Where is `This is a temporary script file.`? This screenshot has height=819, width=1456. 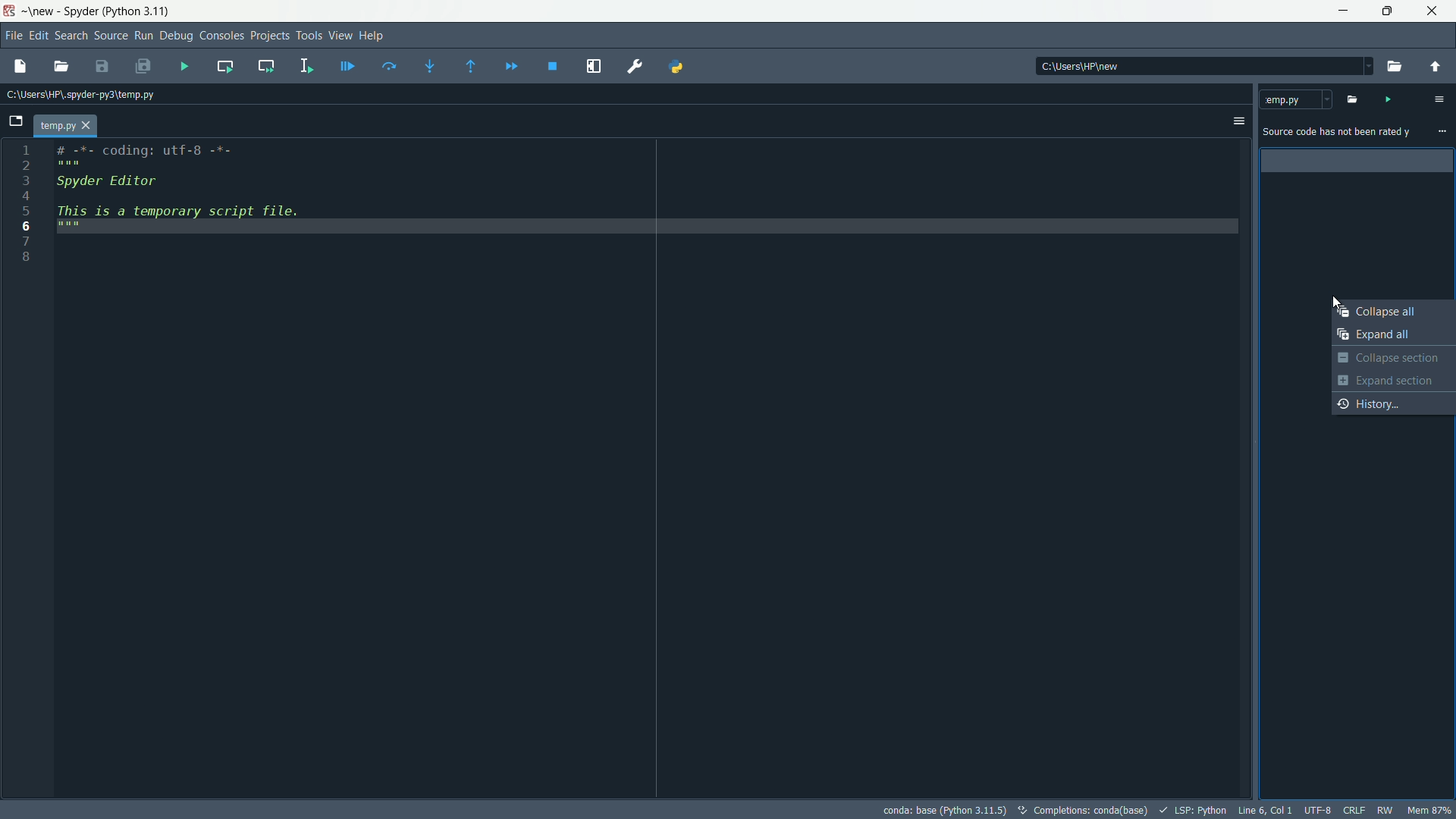
This is a temporary script file. is located at coordinates (189, 219).